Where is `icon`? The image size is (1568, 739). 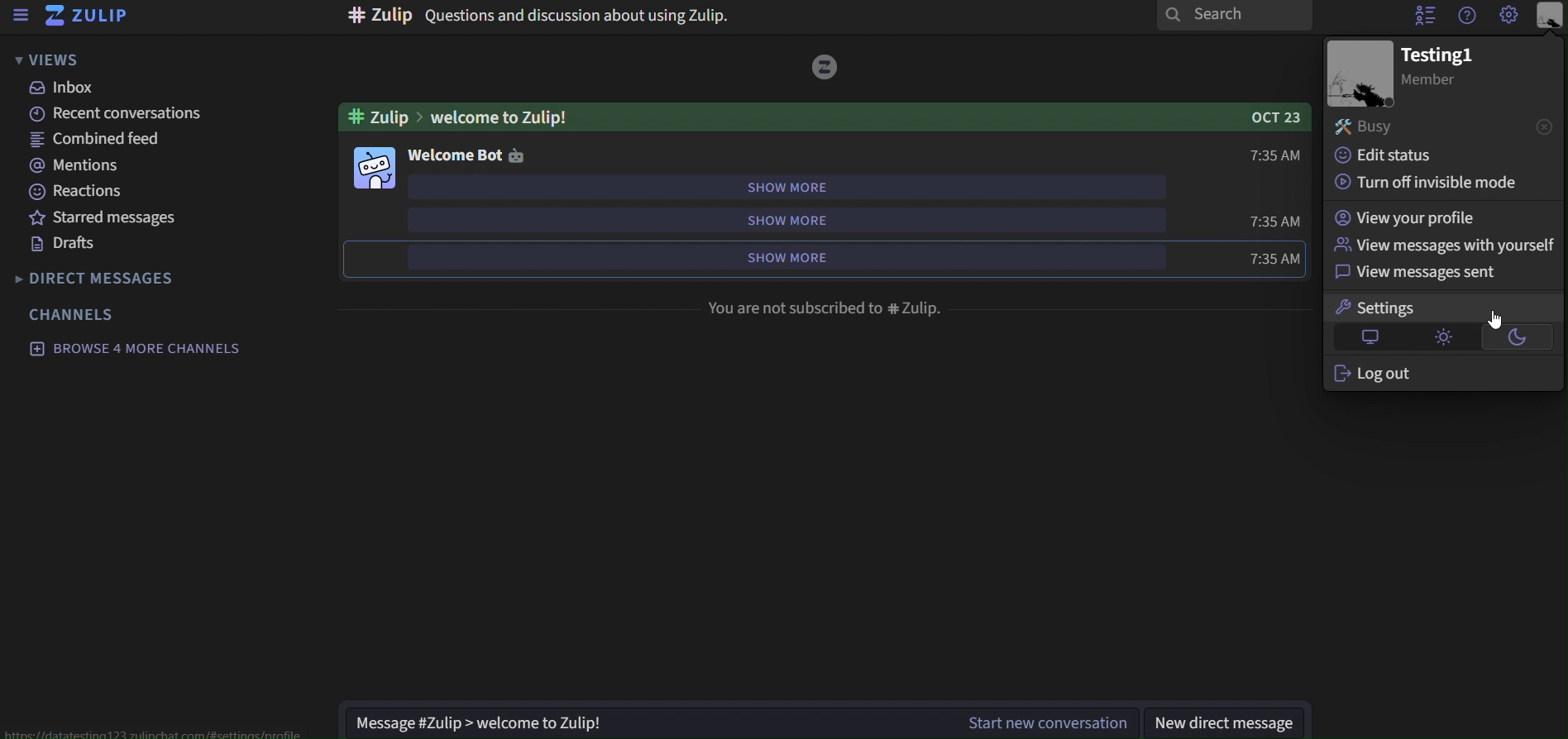 icon is located at coordinates (516, 156).